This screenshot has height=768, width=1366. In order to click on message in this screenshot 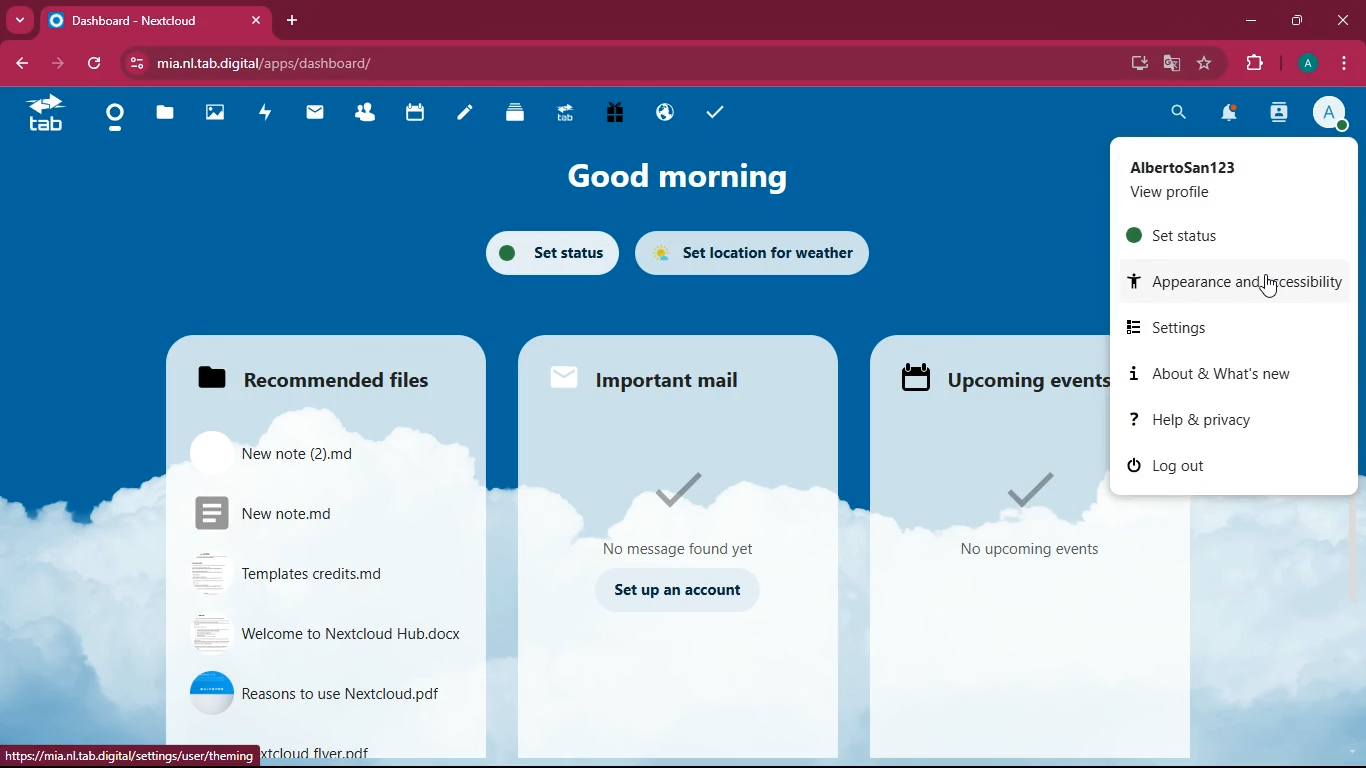, I will do `click(691, 513)`.